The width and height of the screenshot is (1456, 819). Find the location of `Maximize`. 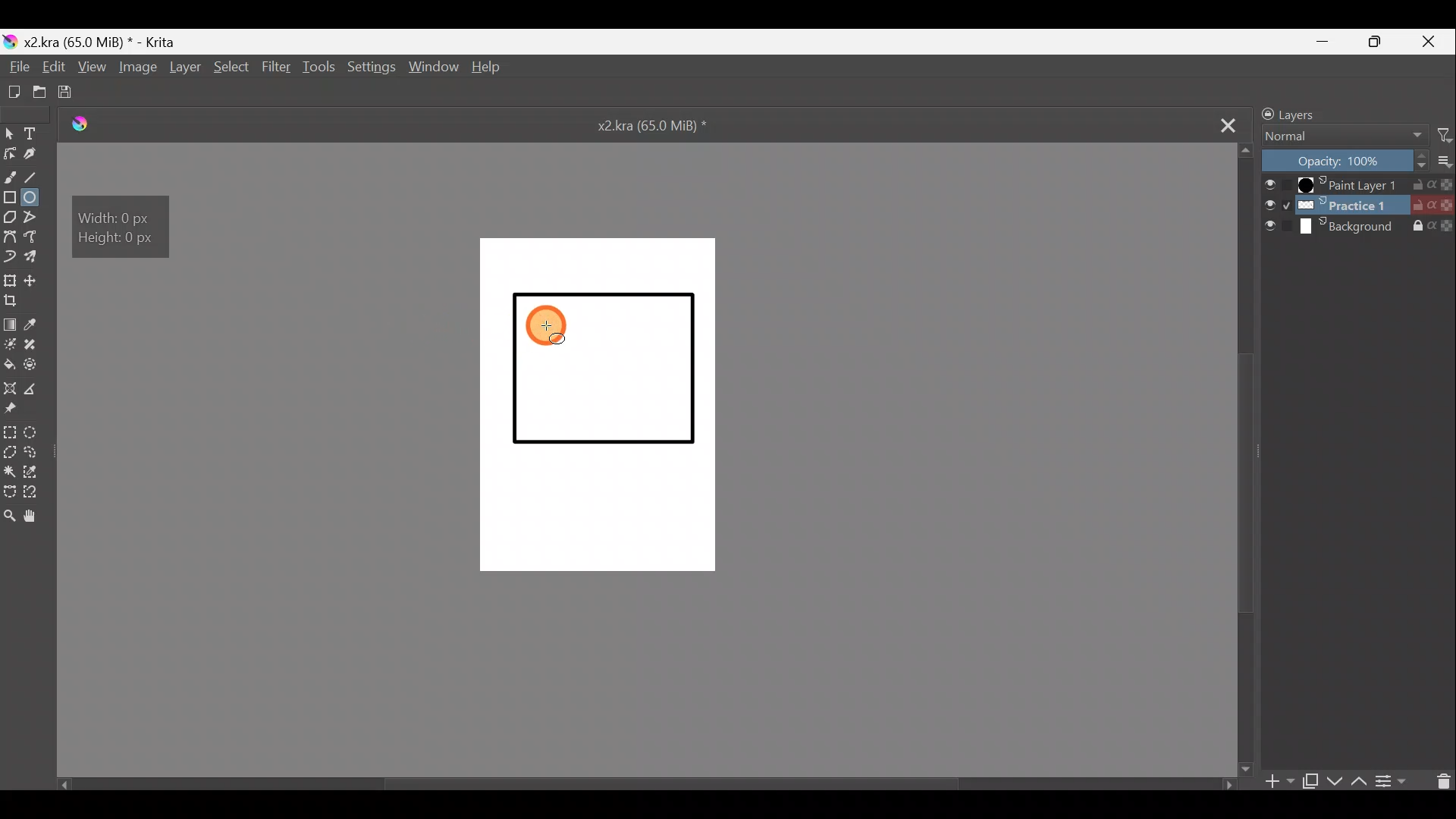

Maximize is located at coordinates (1385, 45).